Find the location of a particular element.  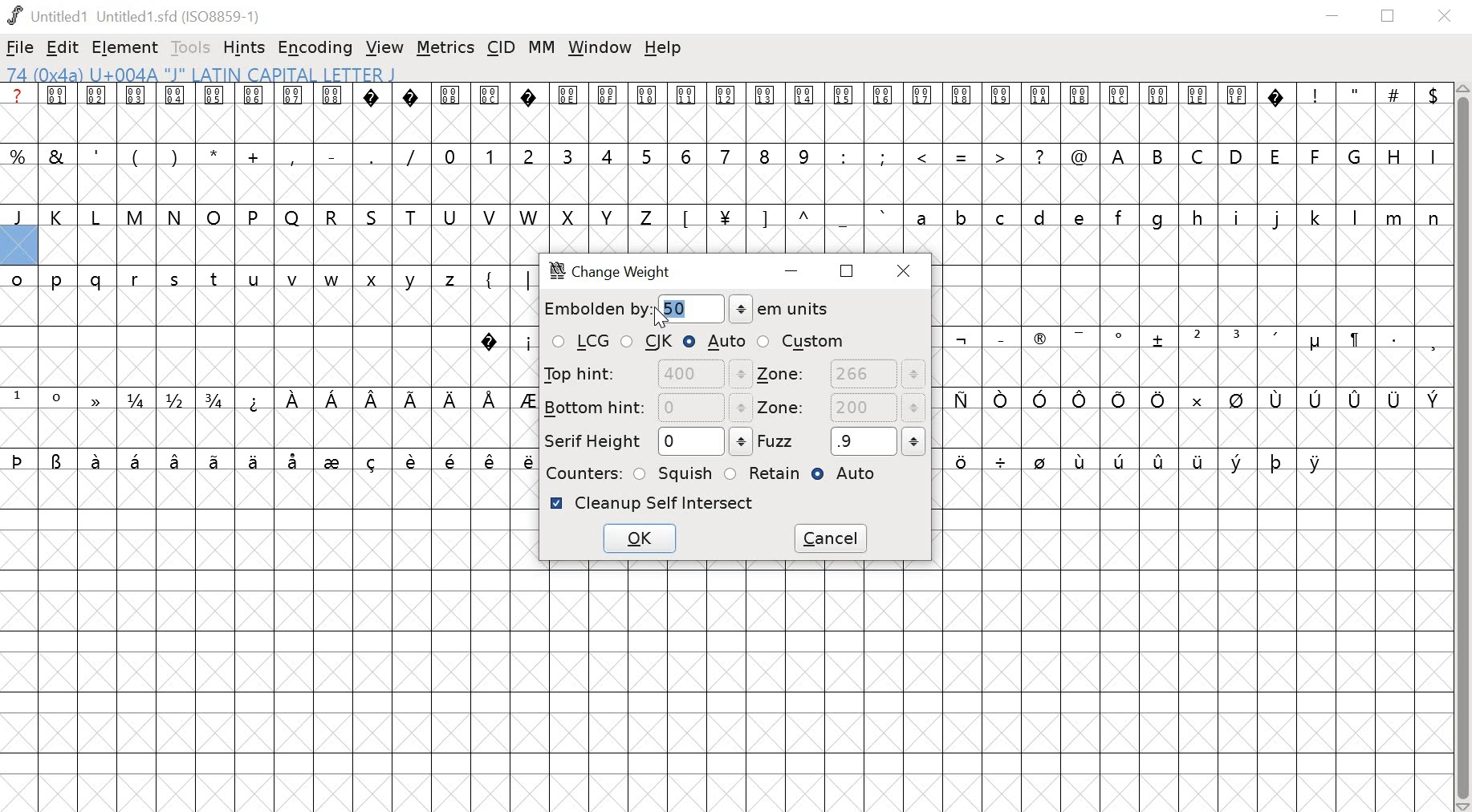

CID is located at coordinates (502, 47).